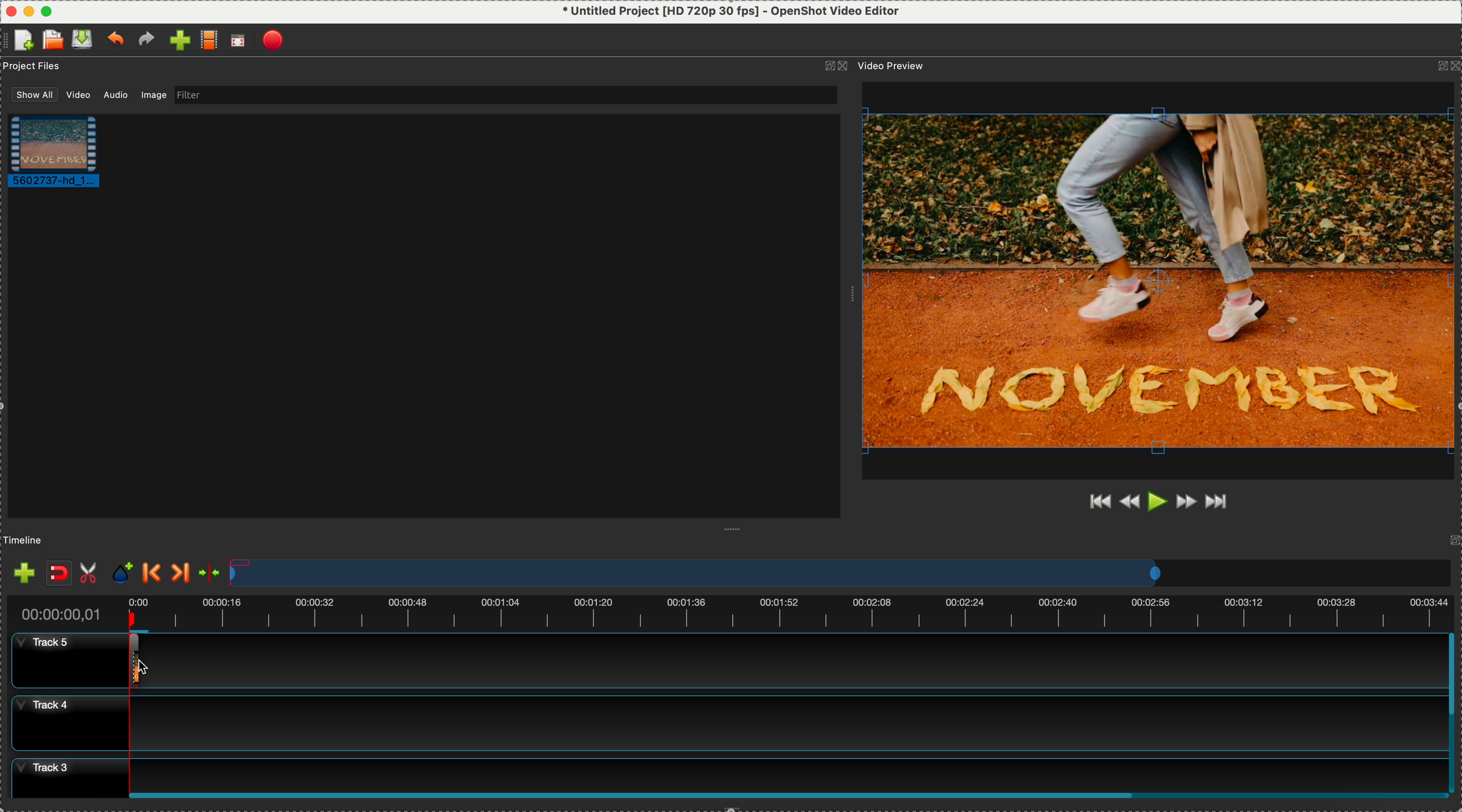 This screenshot has height=812, width=1462. What do you see at coordinates (1186, 504) in the screenshot?
I see `fast forward` at bounding box center [1186, 504].